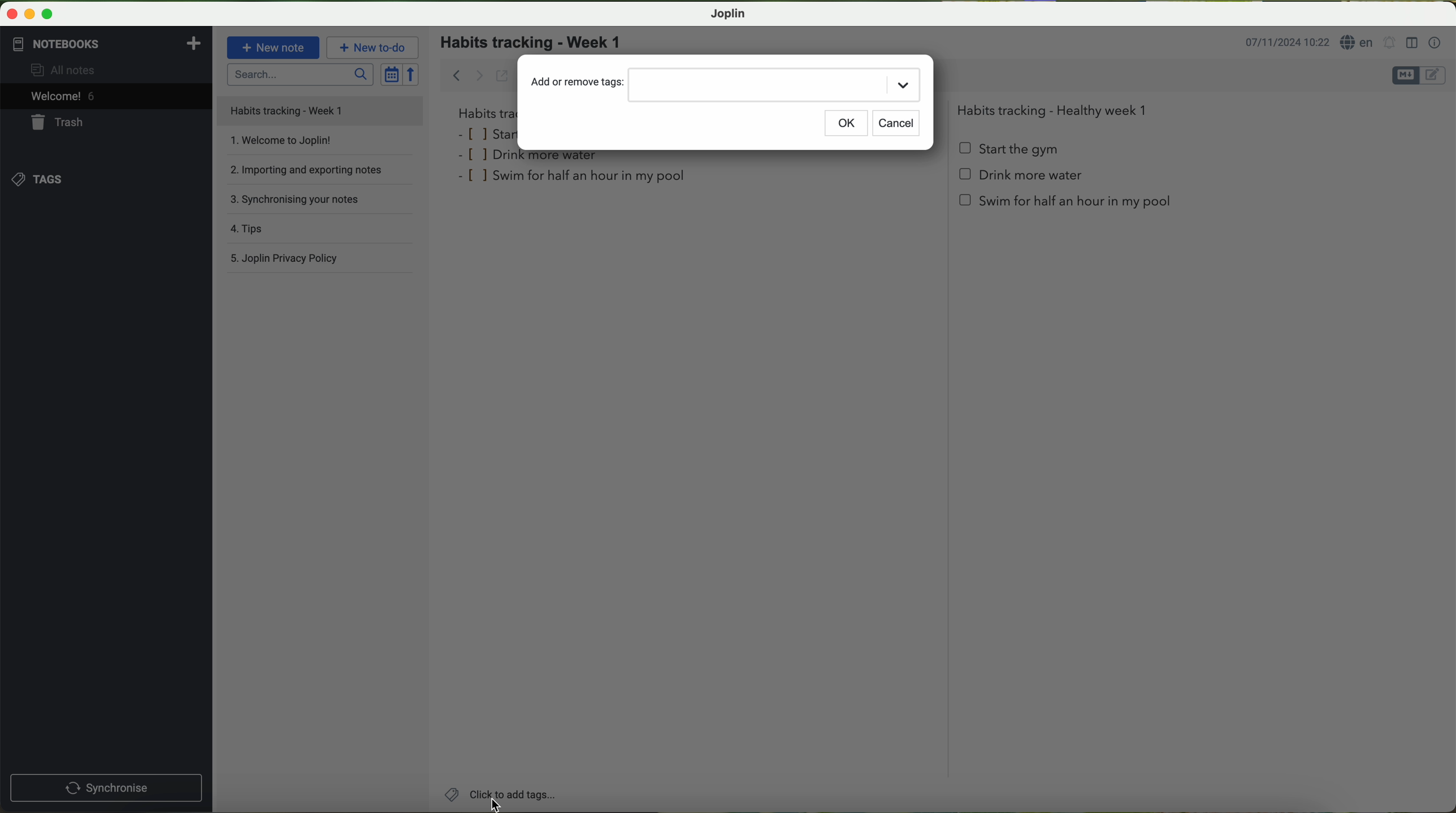  I want to click on synchronnise button, so click(105, 789).